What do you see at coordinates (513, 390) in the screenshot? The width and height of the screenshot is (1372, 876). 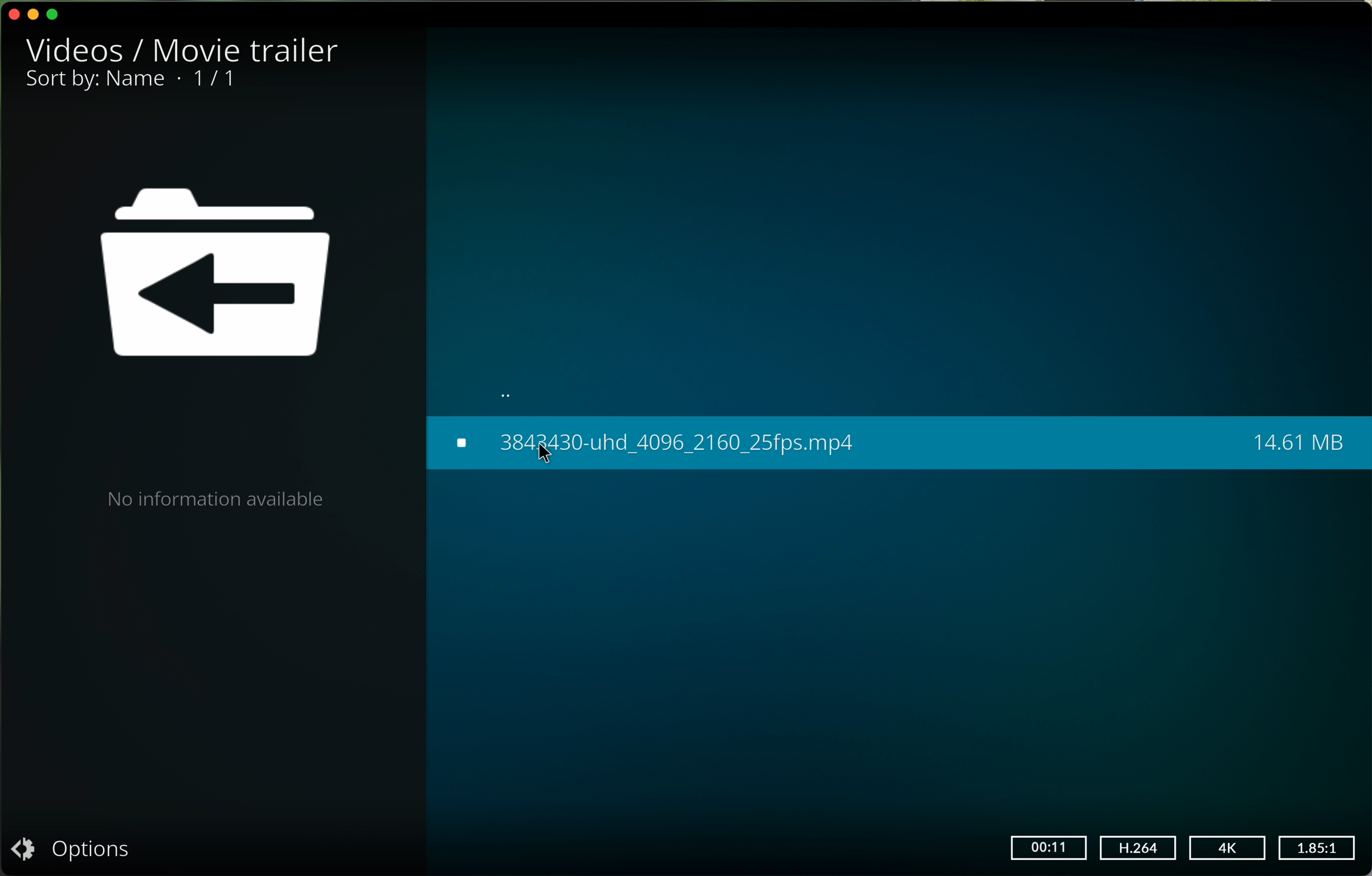 I see `go back` at bounding box center [513, 390].